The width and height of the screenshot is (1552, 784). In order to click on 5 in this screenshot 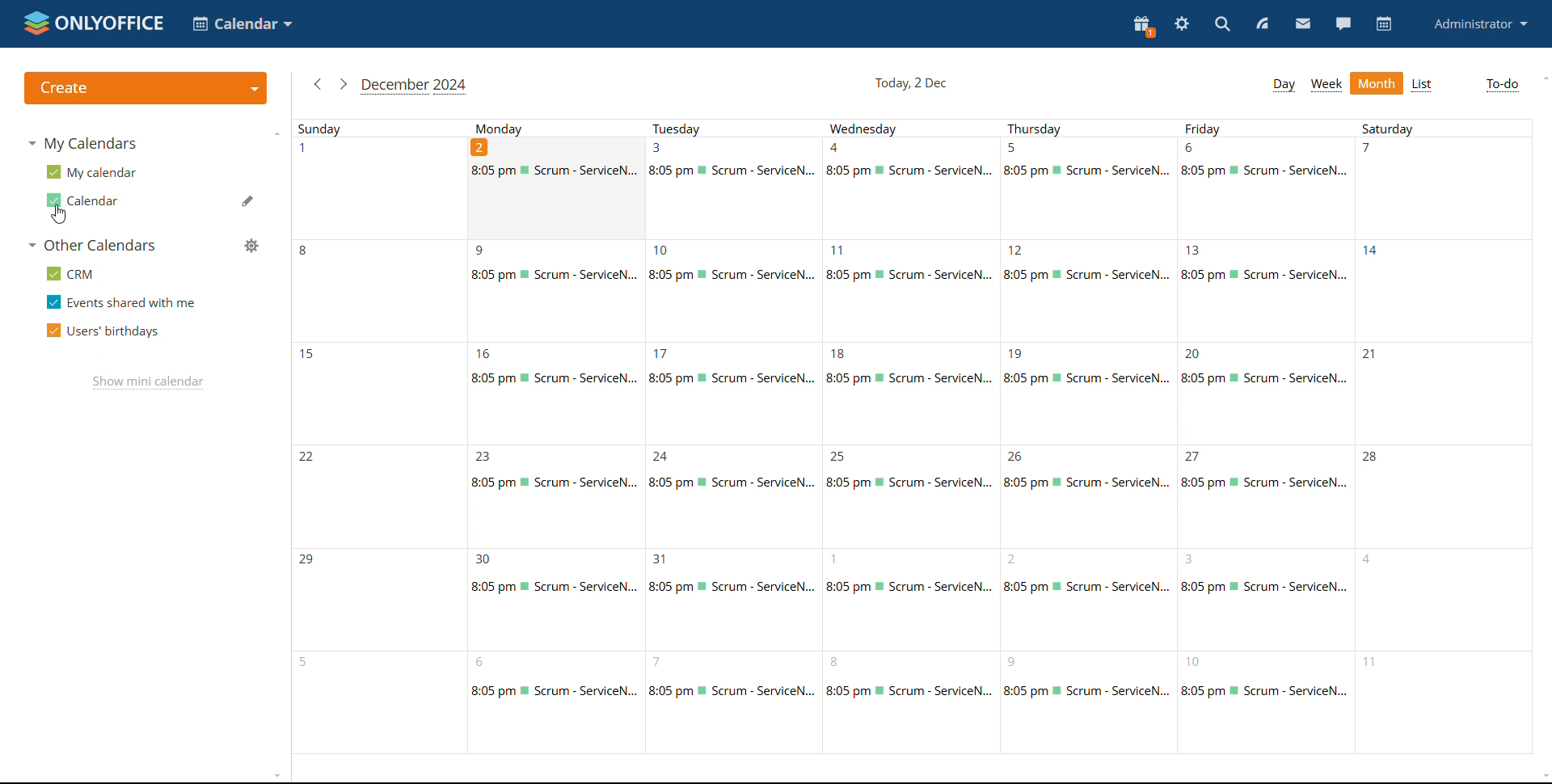, I will do `click(377, 702)`.